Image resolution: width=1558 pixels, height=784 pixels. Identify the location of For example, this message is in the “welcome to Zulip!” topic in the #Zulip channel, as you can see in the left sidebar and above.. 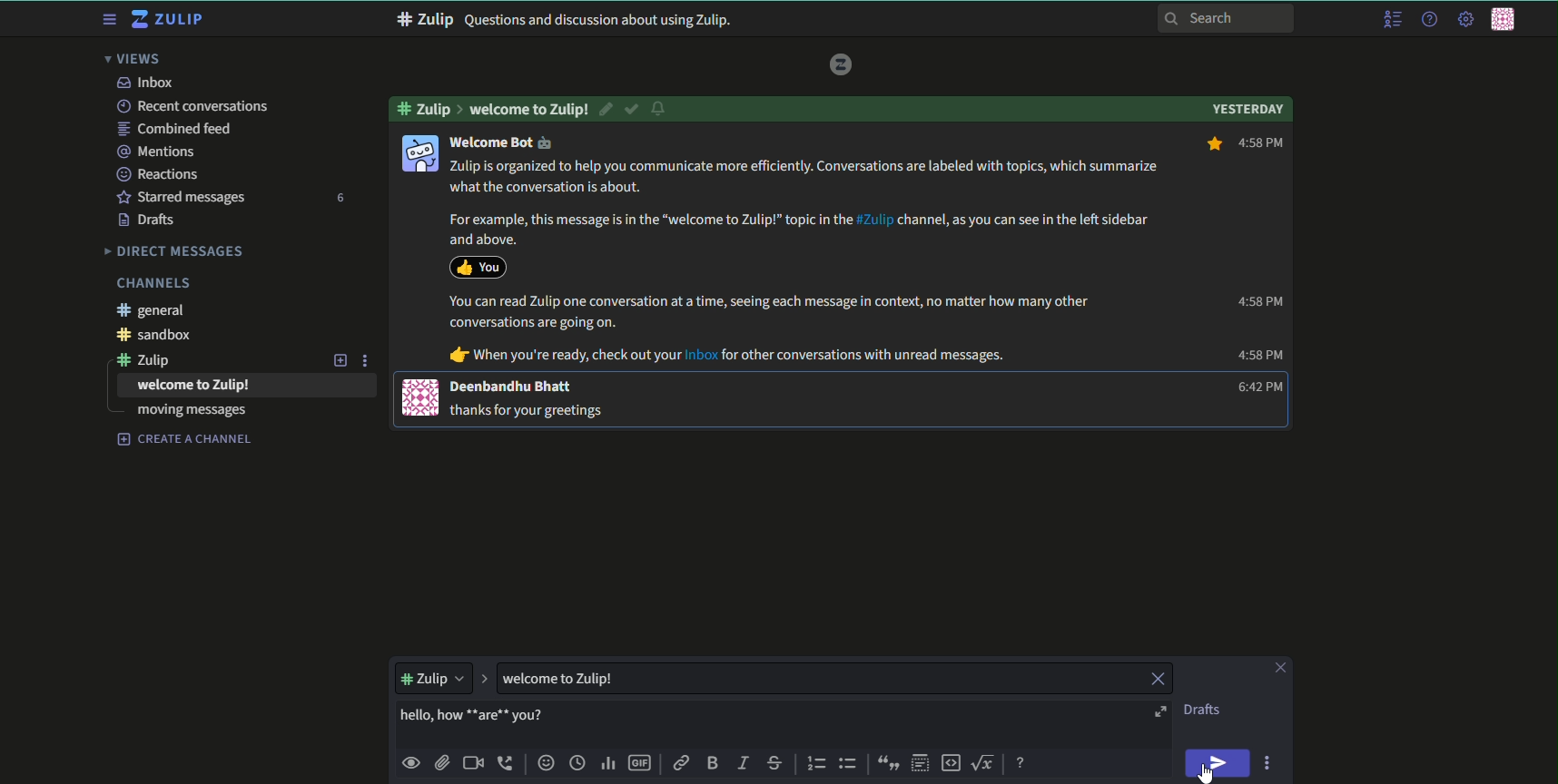
(800, 230).